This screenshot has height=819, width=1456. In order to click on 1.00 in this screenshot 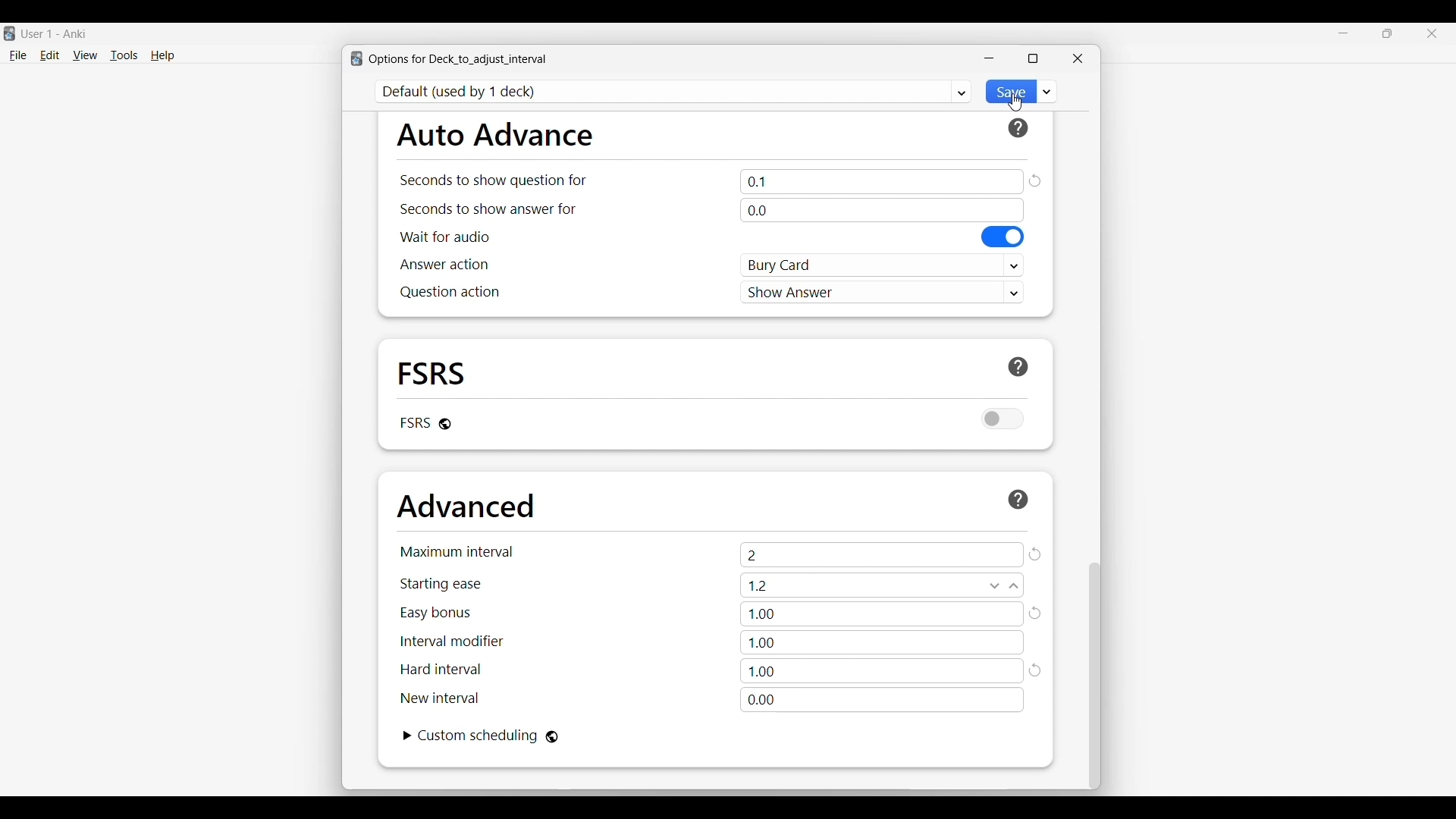, I will do `click(881, 642)`.